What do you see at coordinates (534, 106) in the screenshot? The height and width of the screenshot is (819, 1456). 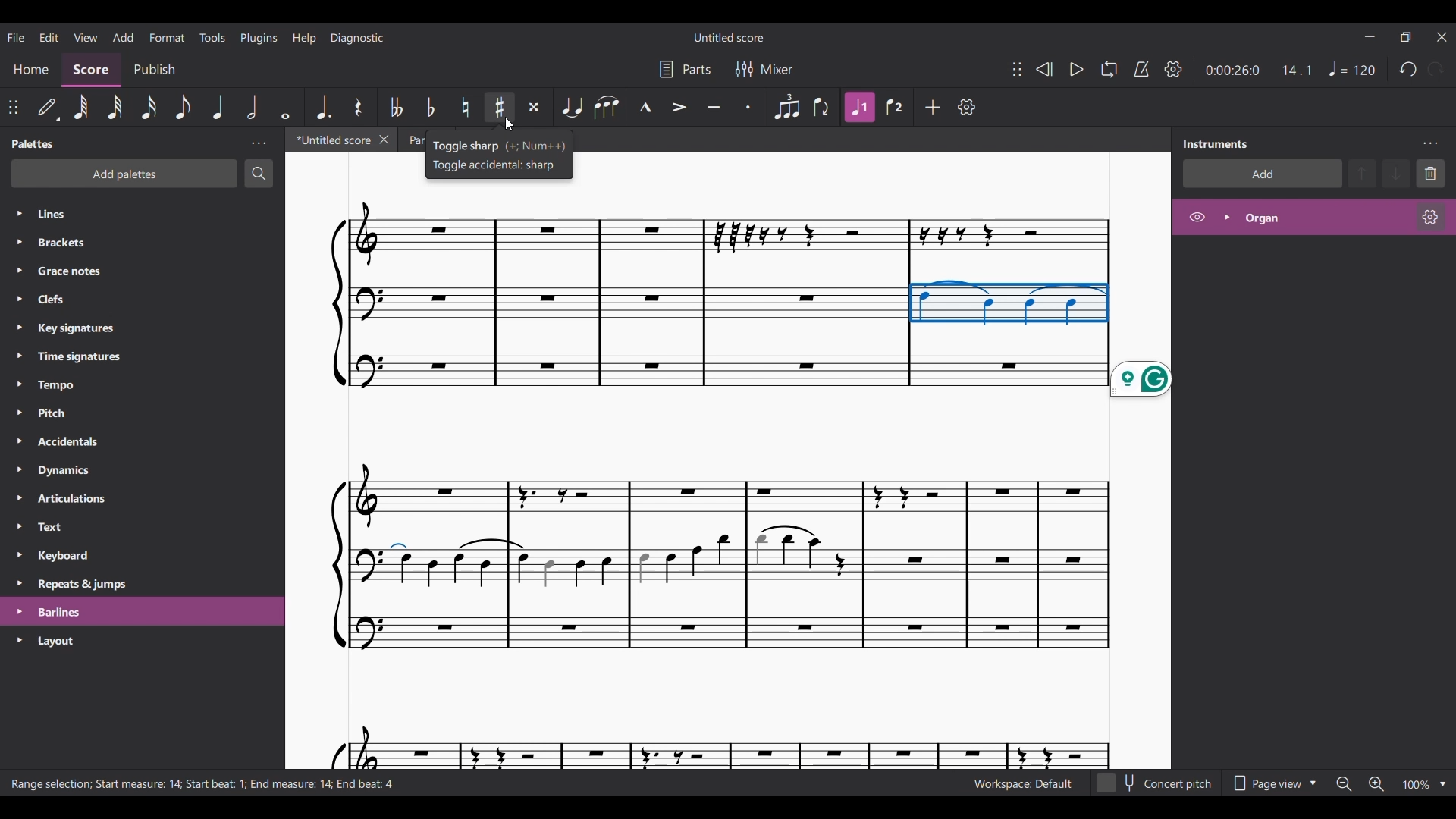 I see `Toggle double sharp` at bounding box center [534, 106].